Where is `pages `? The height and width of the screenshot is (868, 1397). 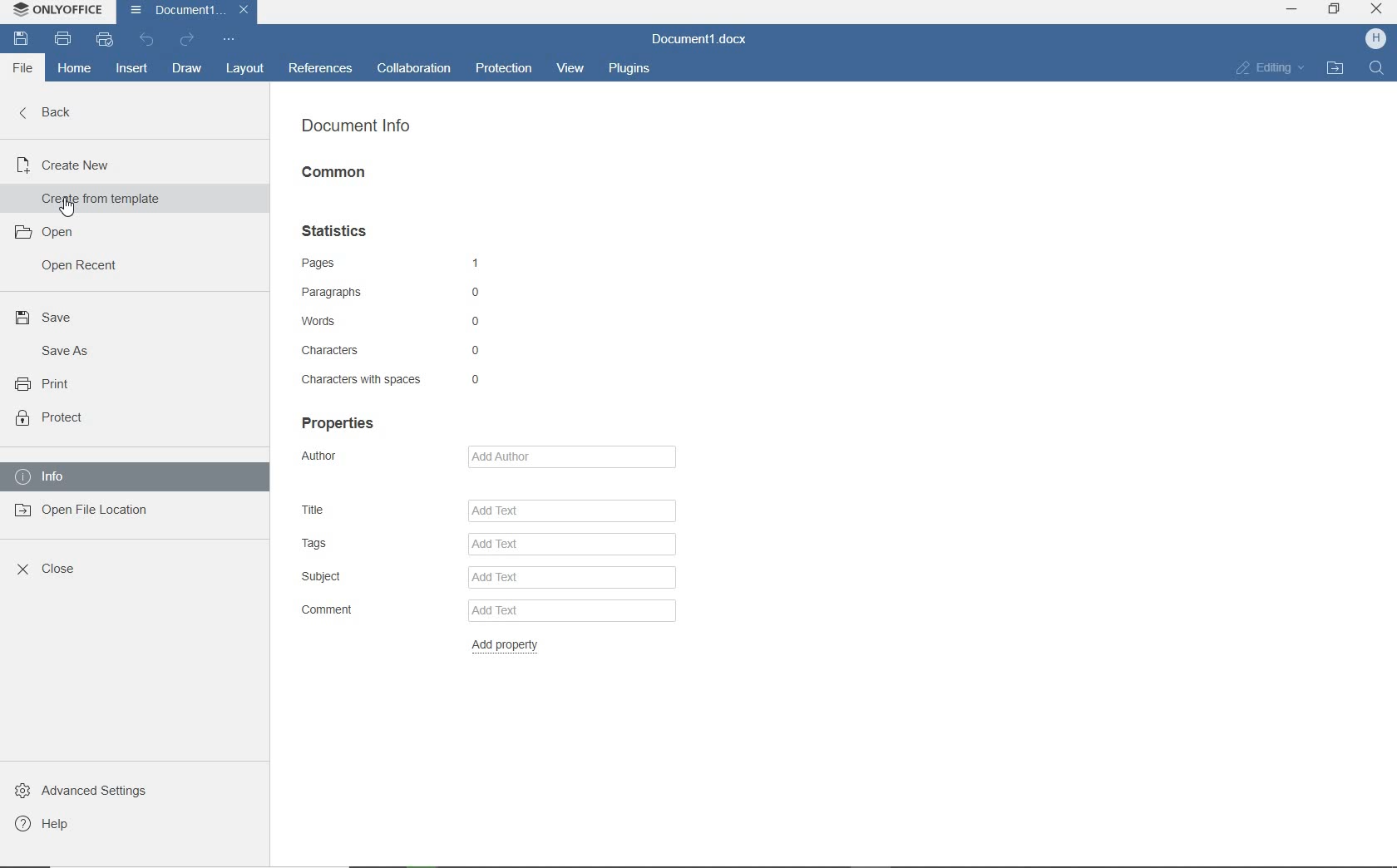
pages  is located at coordinates (399, 263).